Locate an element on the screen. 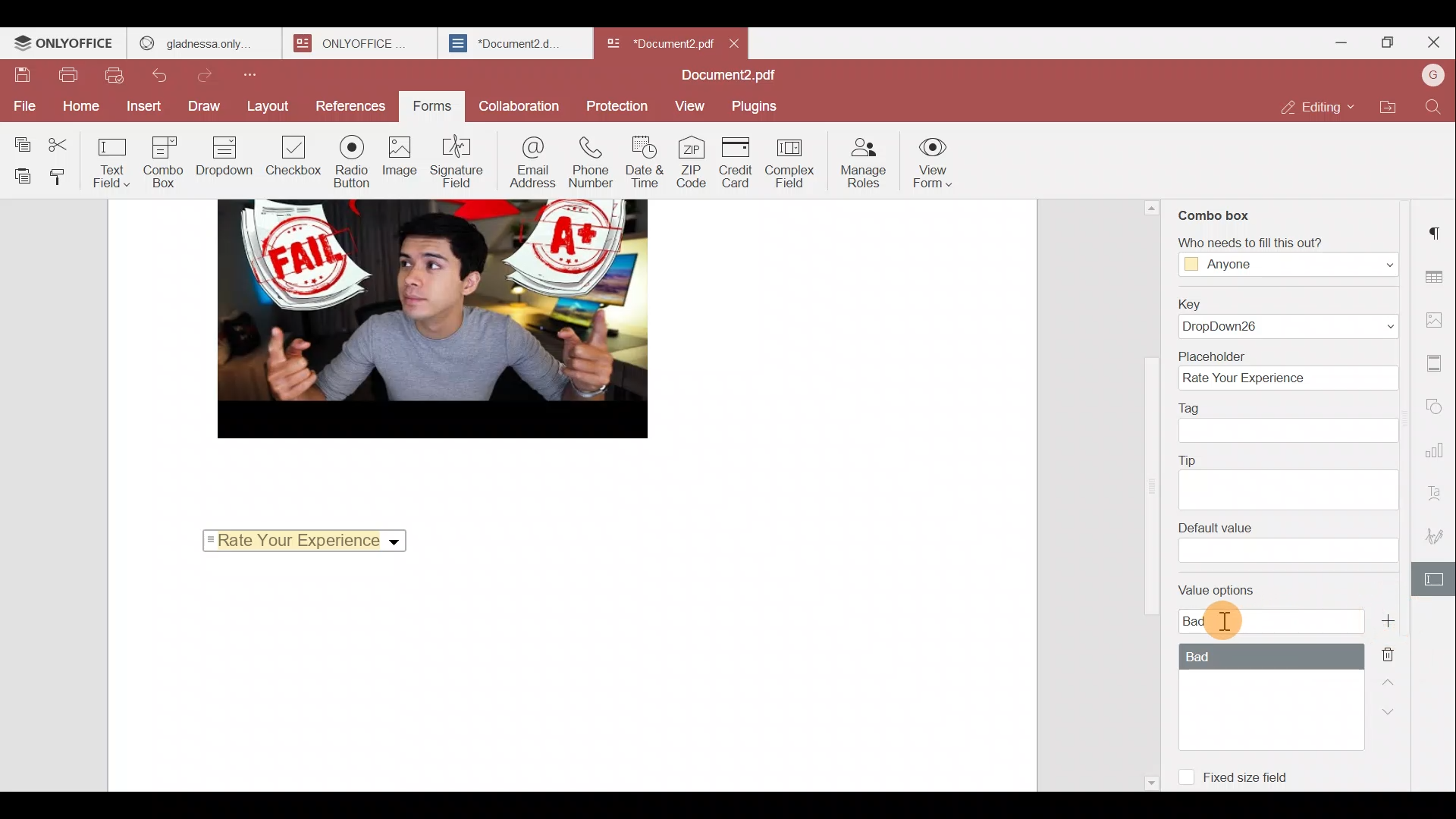  Remove value is located at coordinates (1391, 655).